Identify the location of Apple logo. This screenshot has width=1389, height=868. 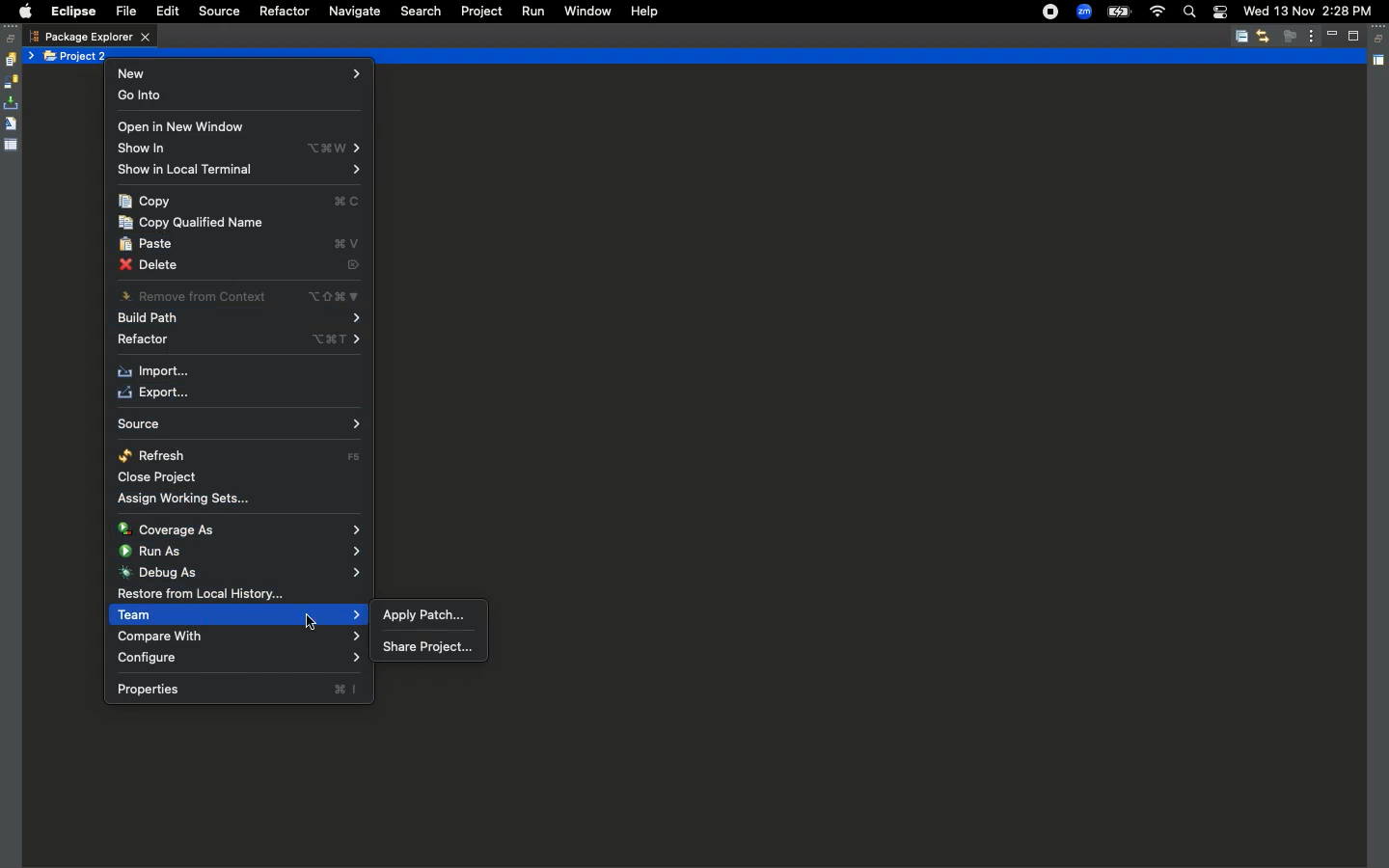
(22, 12).